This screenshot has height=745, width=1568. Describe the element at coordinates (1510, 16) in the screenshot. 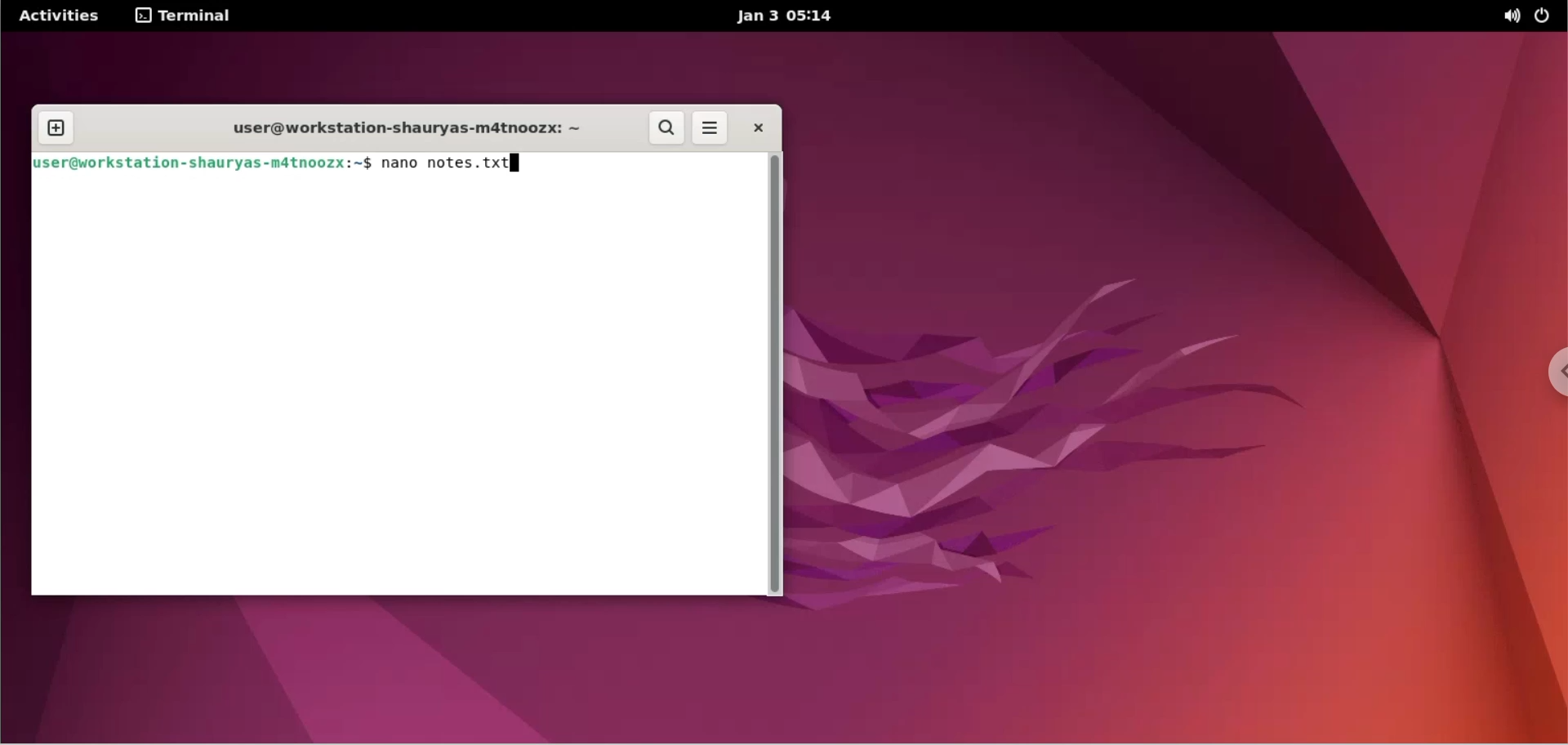

I see `sound options` at that location.